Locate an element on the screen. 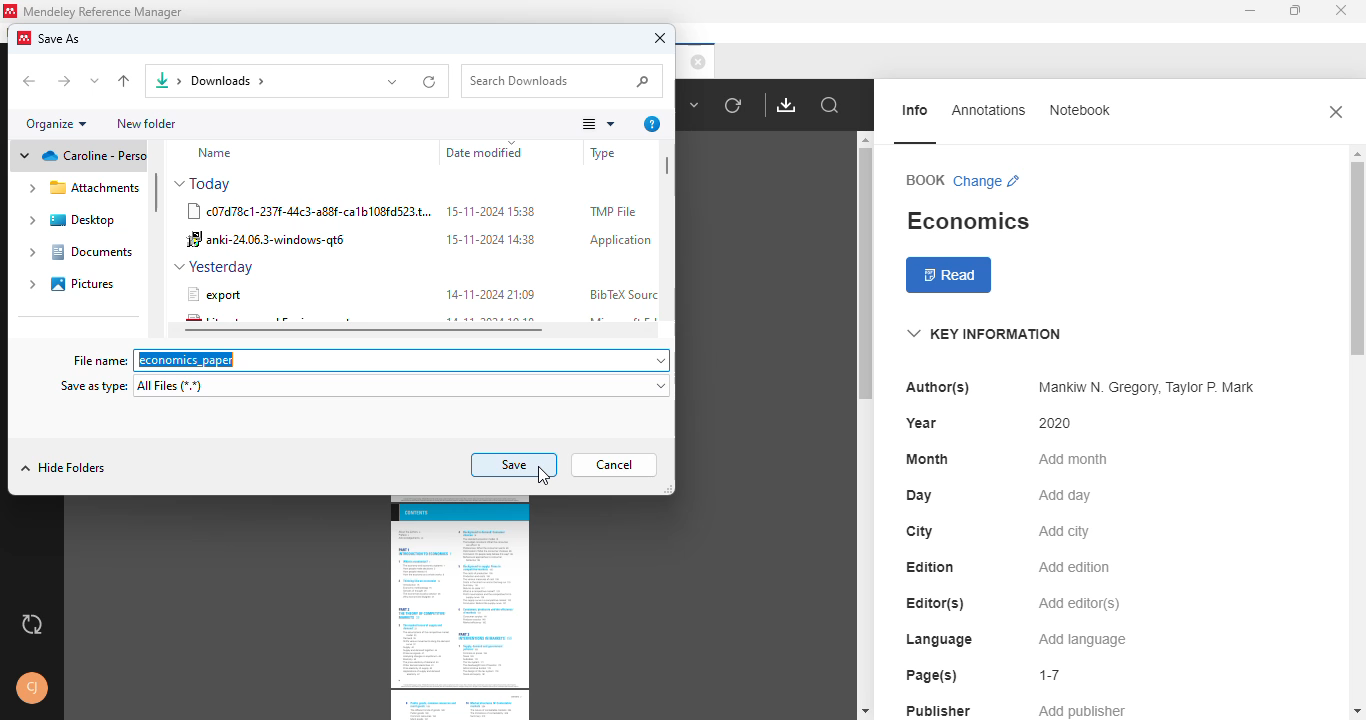  search is located at coordinates (831, 106).